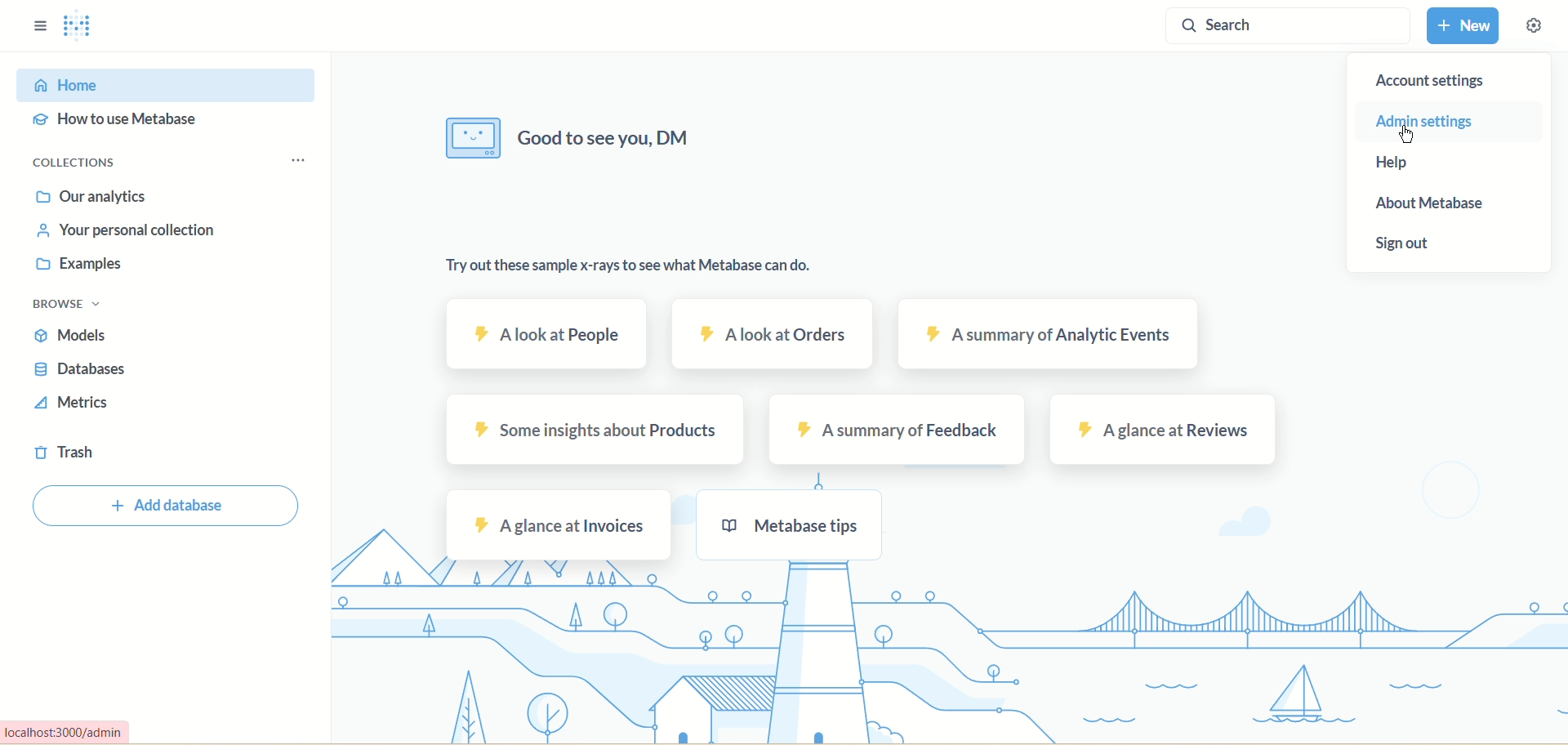 This screenshot has width=1568, height=745. I want to click on databases, so click(78, 372).